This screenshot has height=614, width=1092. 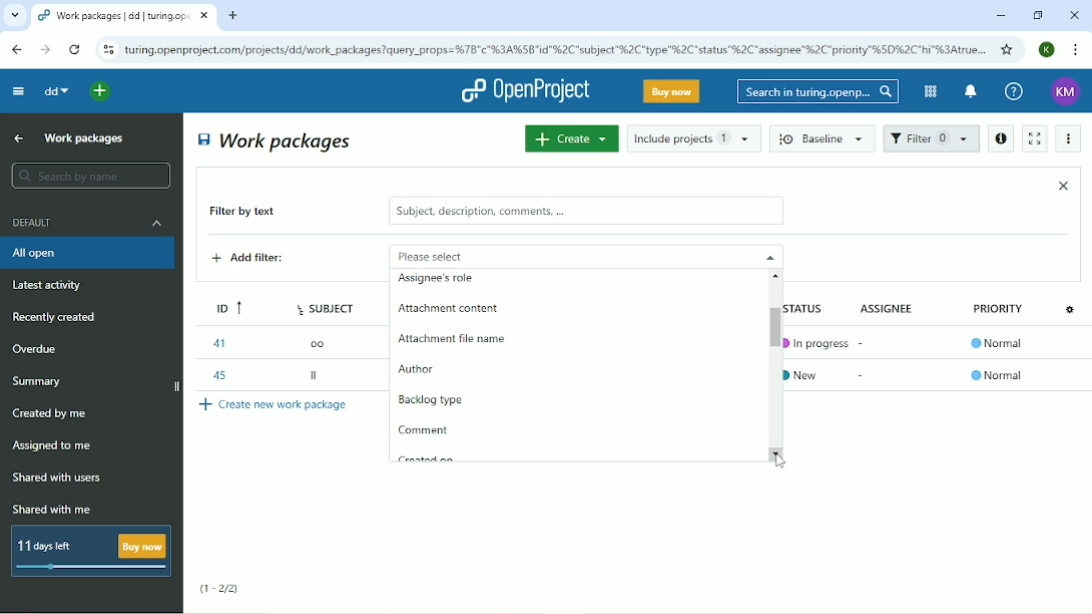 I want to click on Attachment file name, so click(x=457, y=340).